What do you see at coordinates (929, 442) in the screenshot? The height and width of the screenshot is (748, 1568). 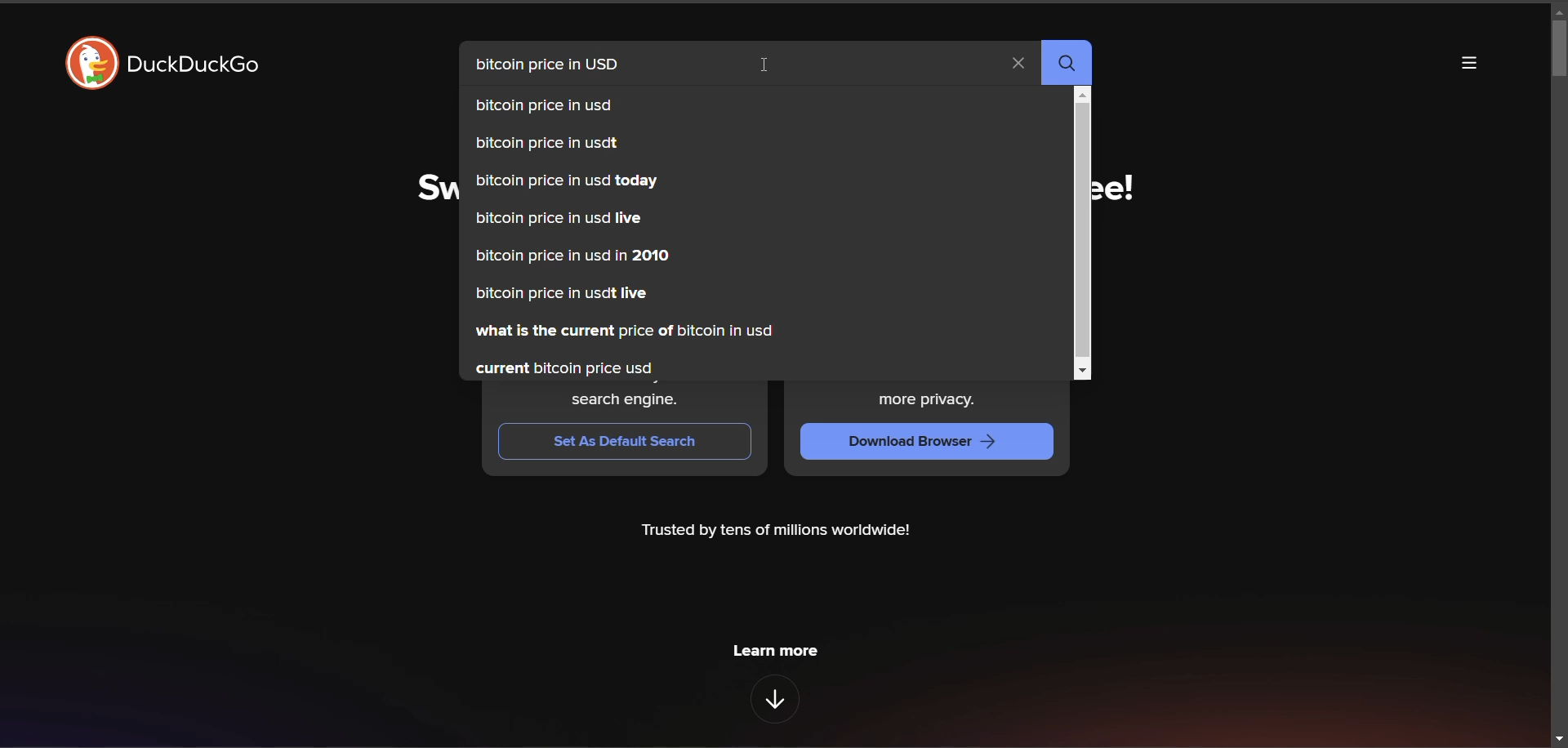 I see `download browser` at bounding box center [929, 442].